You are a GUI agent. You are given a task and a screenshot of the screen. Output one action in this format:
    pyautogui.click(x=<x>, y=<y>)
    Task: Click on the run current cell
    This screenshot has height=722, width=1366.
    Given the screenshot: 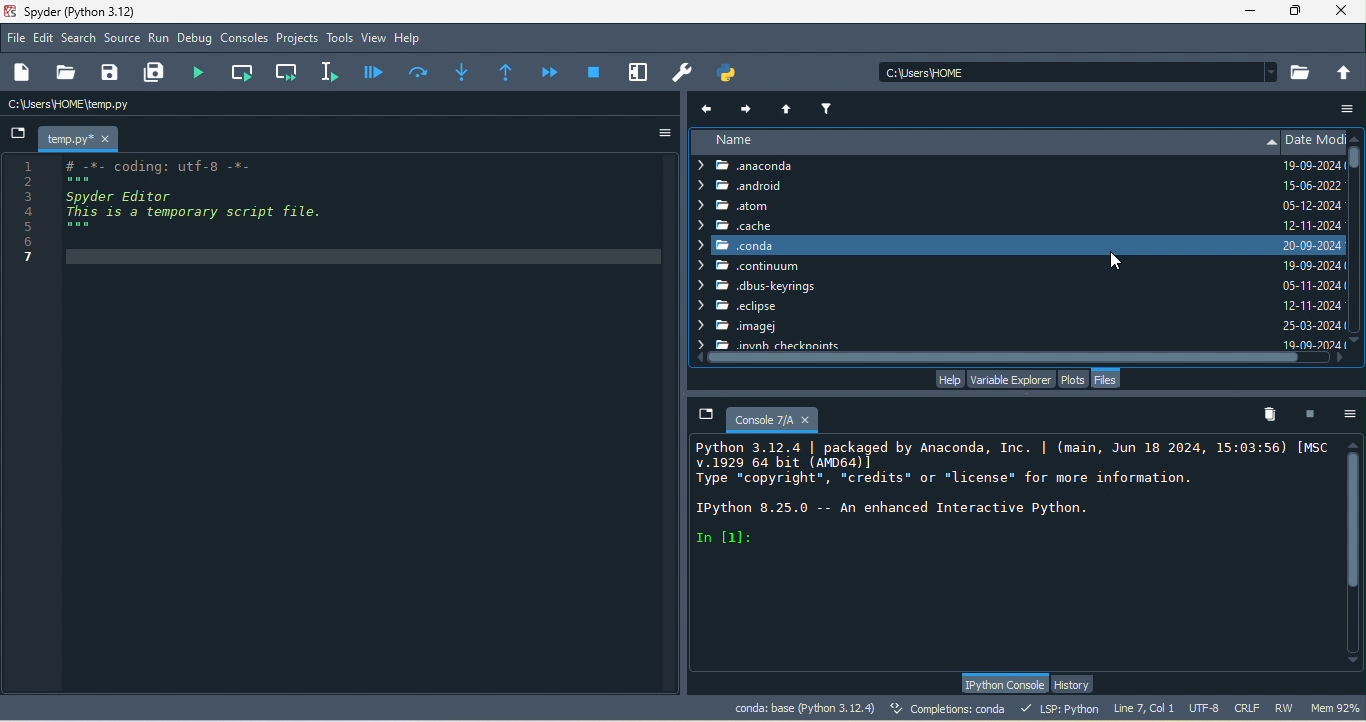 What is the action you would take?
    pyautogui.click(x=245, y=72)
    